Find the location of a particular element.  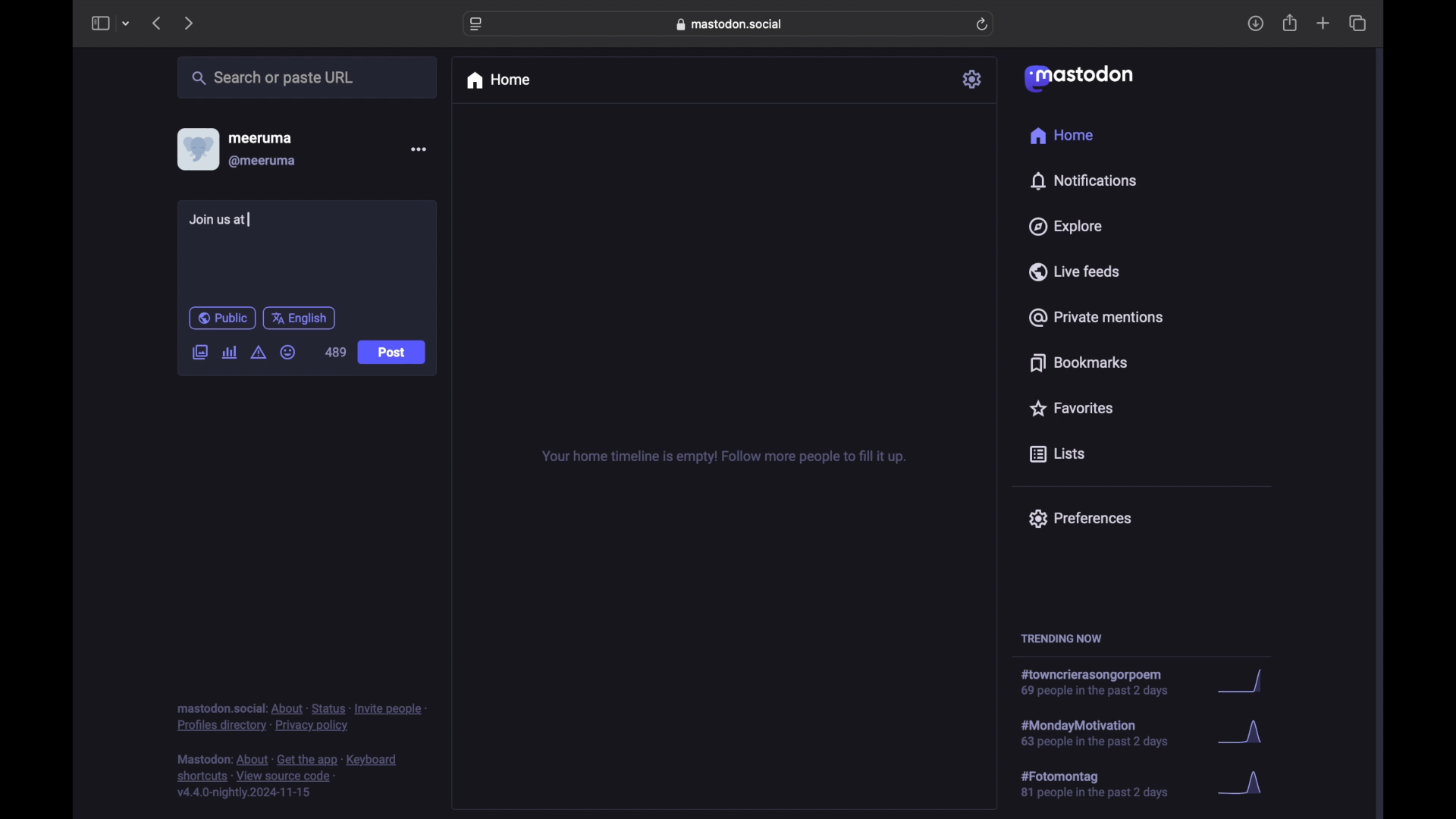

home is located at coordinates (1061, 136).